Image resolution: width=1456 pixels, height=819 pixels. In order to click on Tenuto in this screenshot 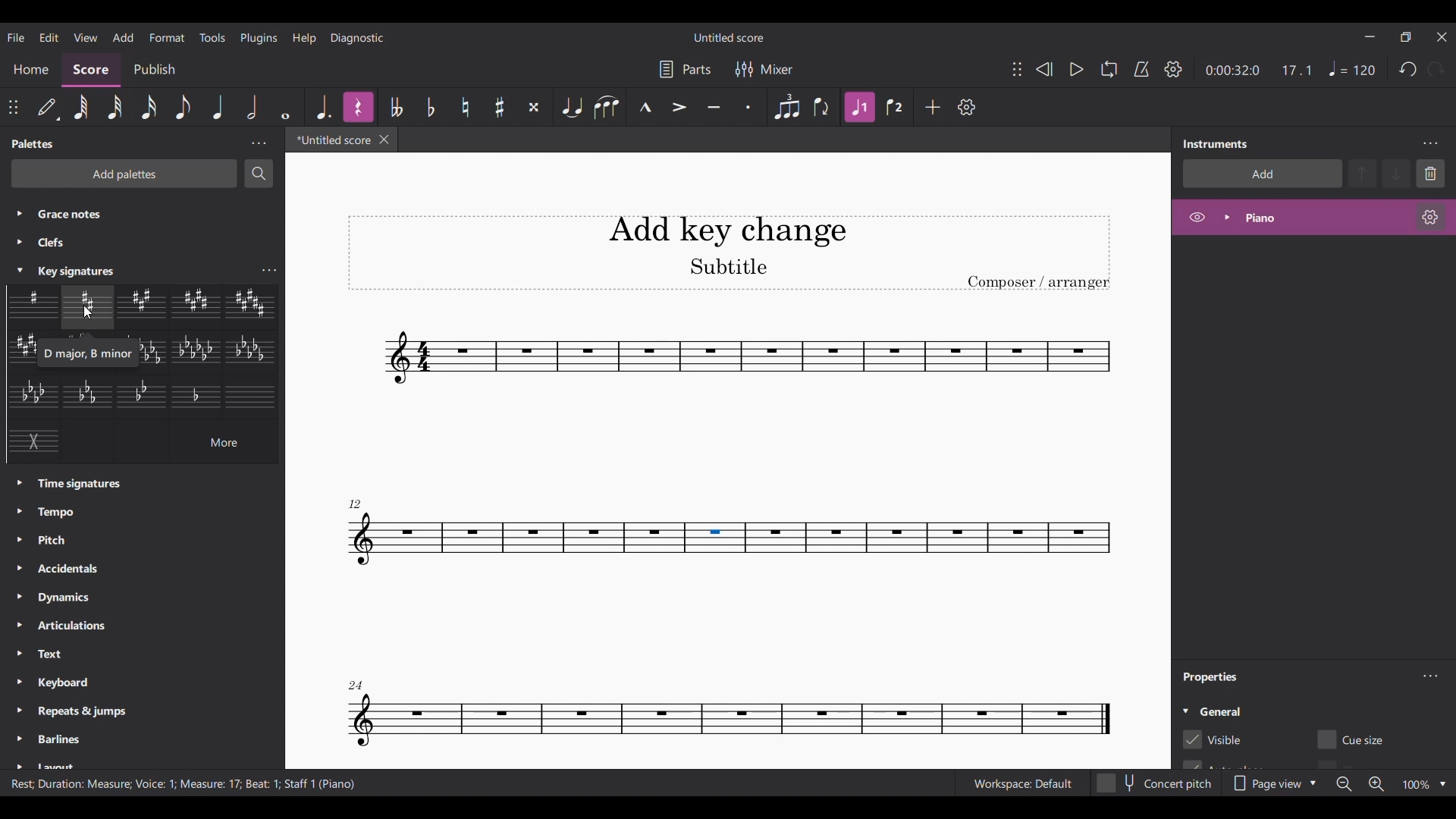, I will do `click(714, 106)`.